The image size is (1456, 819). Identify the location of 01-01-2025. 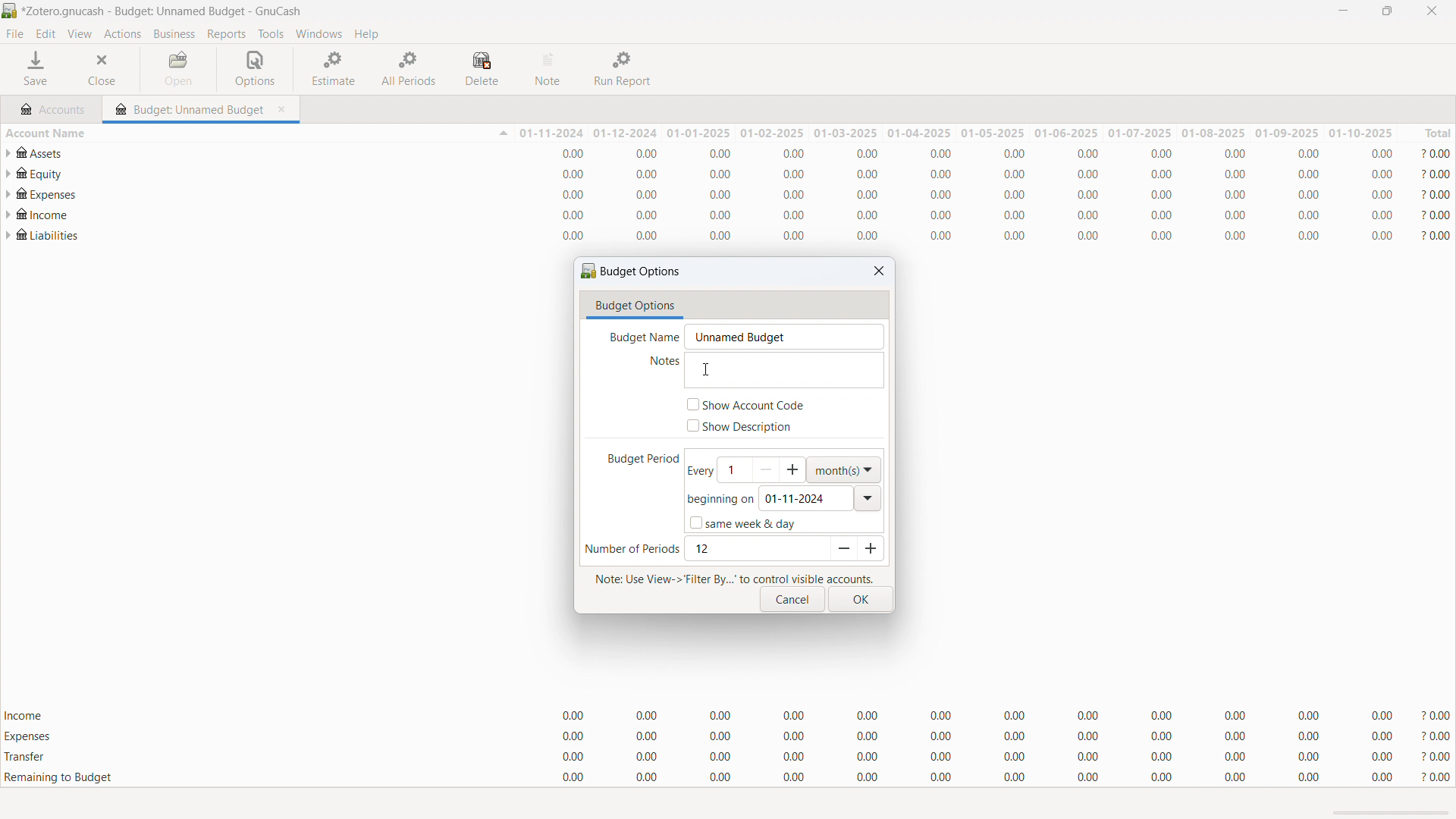
(700, 132).